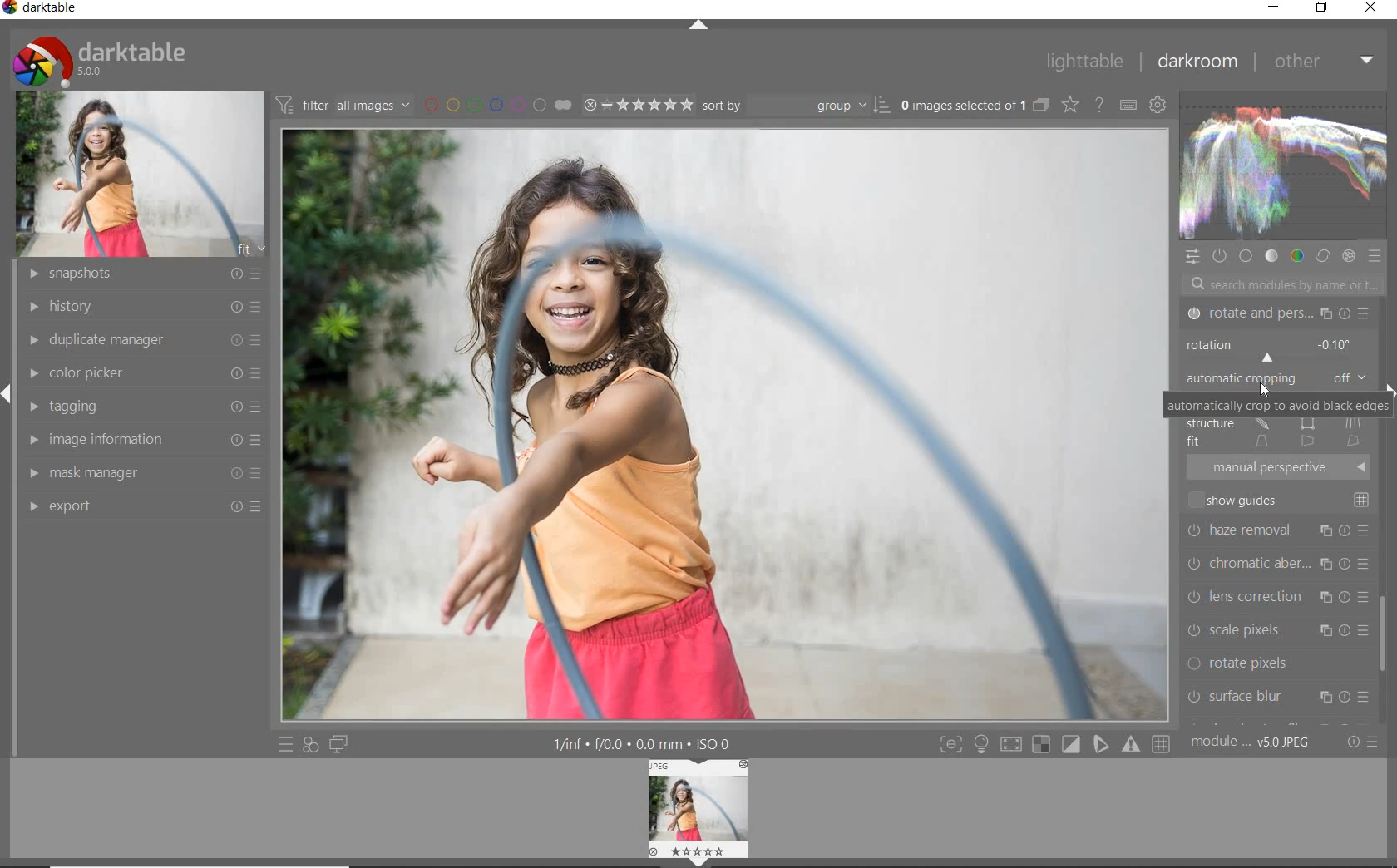 This screenshot has width=1397, height=868. Describe the element at coordinates (1190, 259) in the screenshot. I see `quick access panel` at that location.